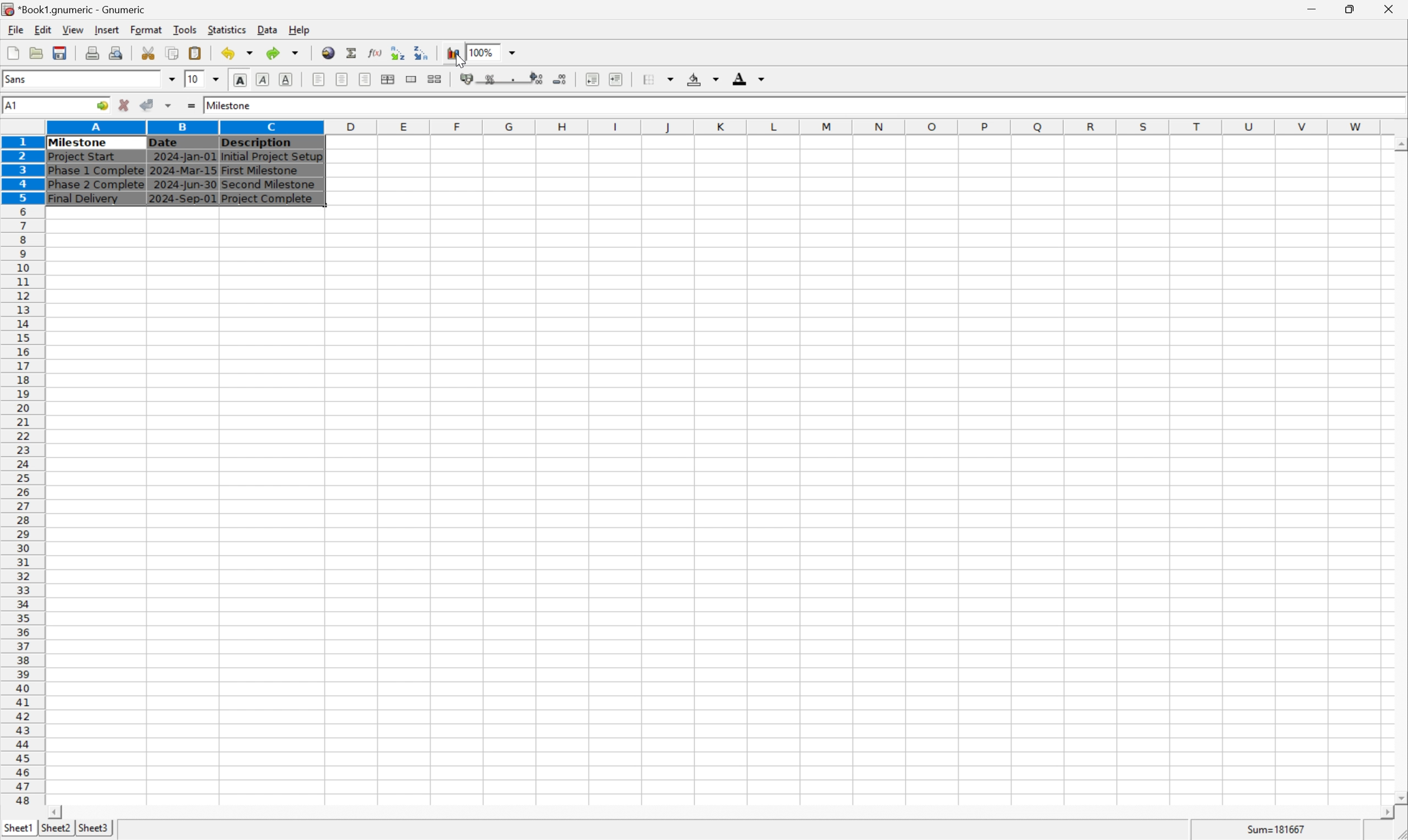 Image resolution: width=1408 pixels, height=840 pixels. Describe the element at coordinates (195, 53) in the screenshot. I see `paste` at that location.